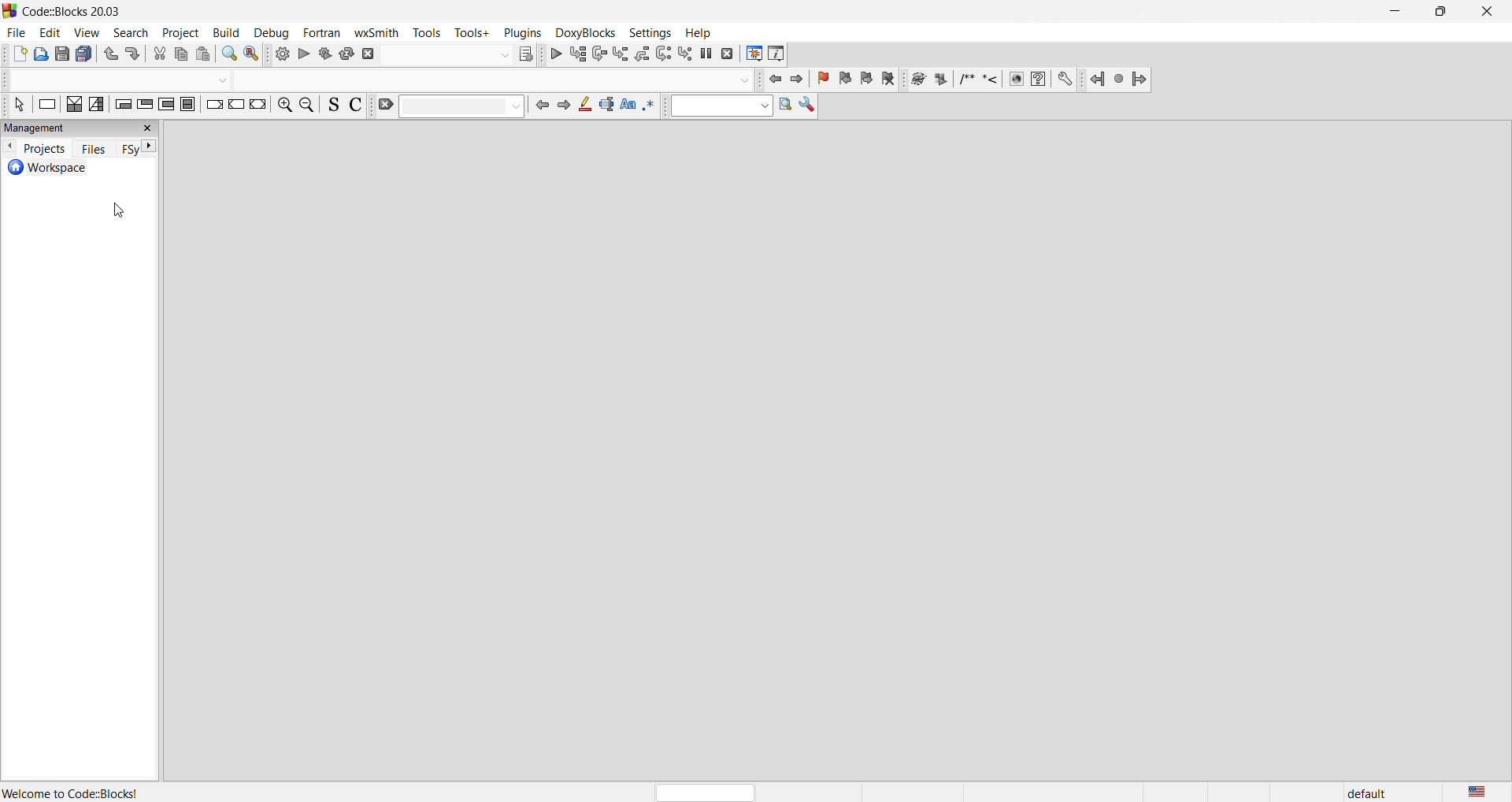 This screenshot has width=1512, height=802. I want to click on redo, so click(134, 54).